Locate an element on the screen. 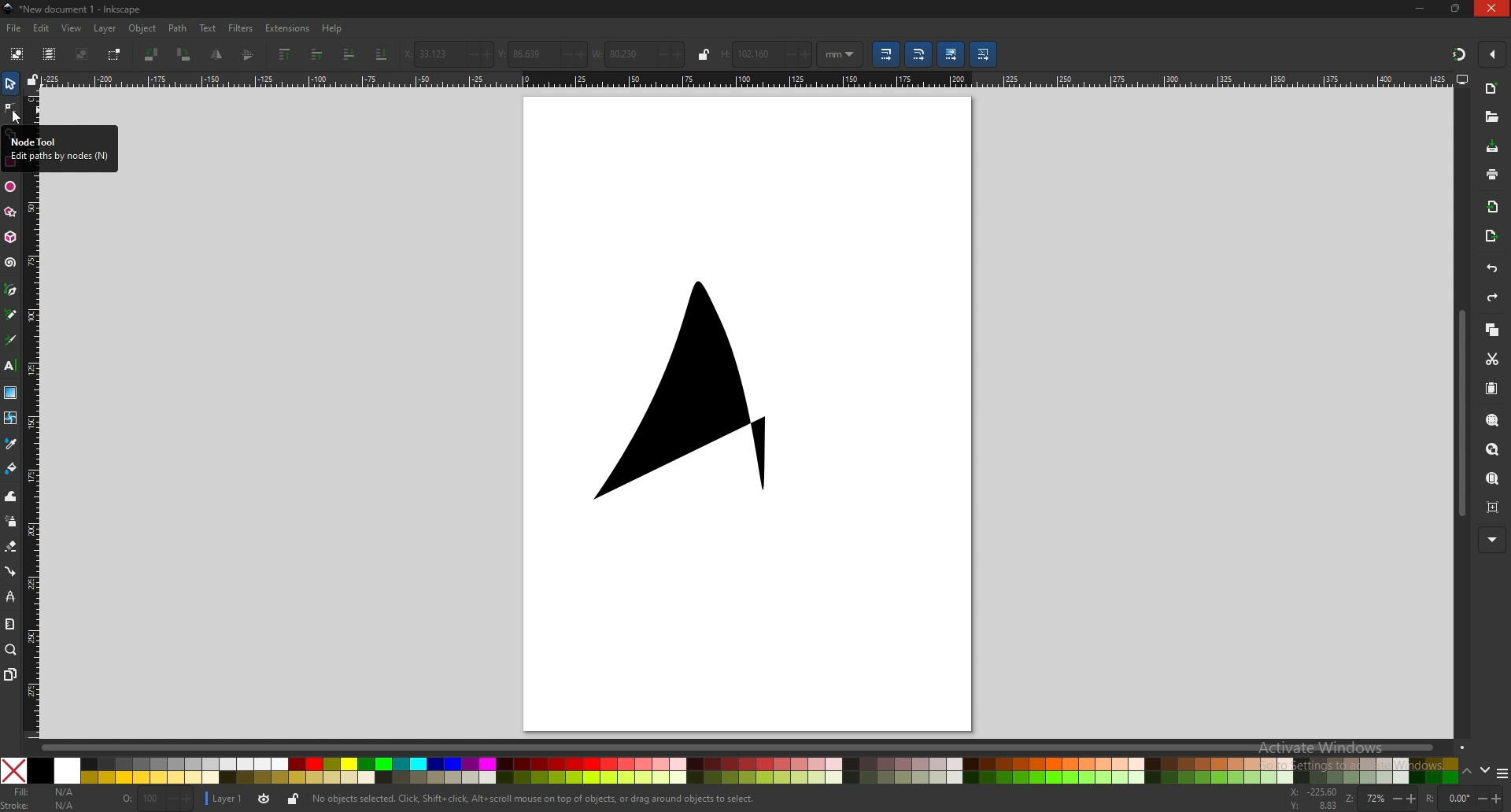 Image resolution: width=1511 pixels, height=812 pixels. height is located at coordinates (766, 54).